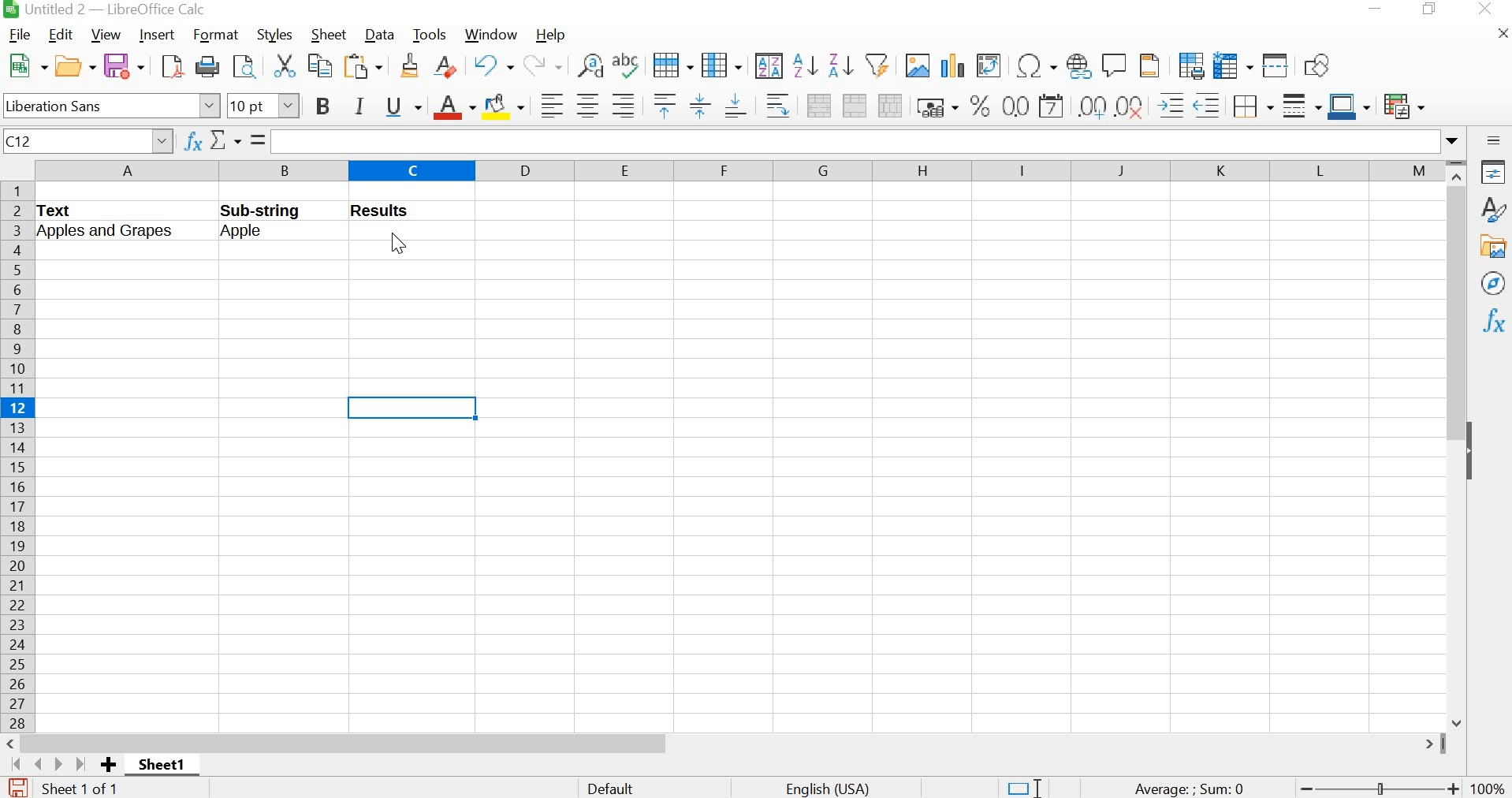 This screenshot has width=1512, height=798. What do you see at coordinates (728, 744) in the screenshot?
I see `scrollbar` at bounding box center [728, 744].